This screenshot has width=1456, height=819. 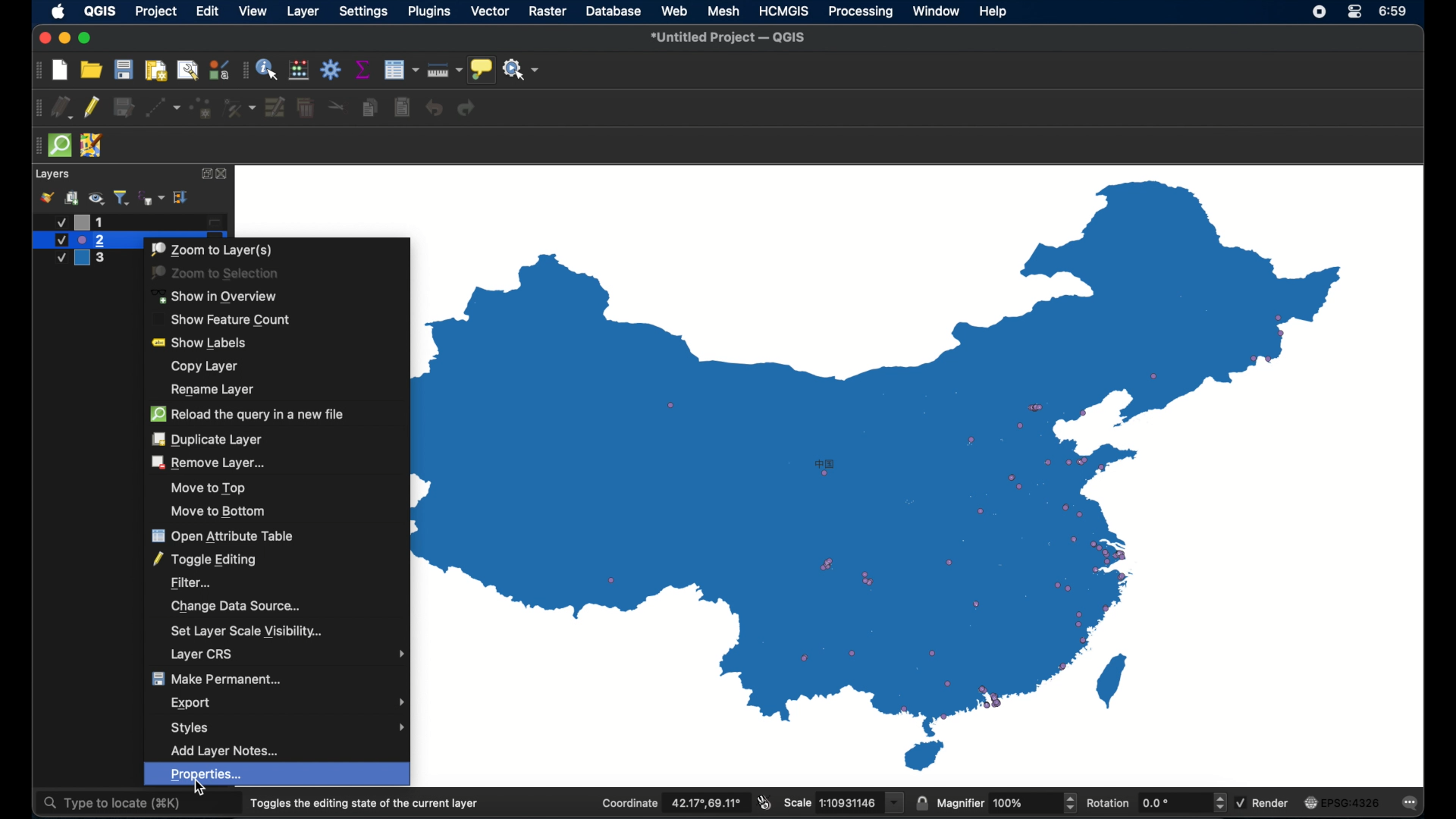 I want to click on filter  legend, so click(x=122, y=197).